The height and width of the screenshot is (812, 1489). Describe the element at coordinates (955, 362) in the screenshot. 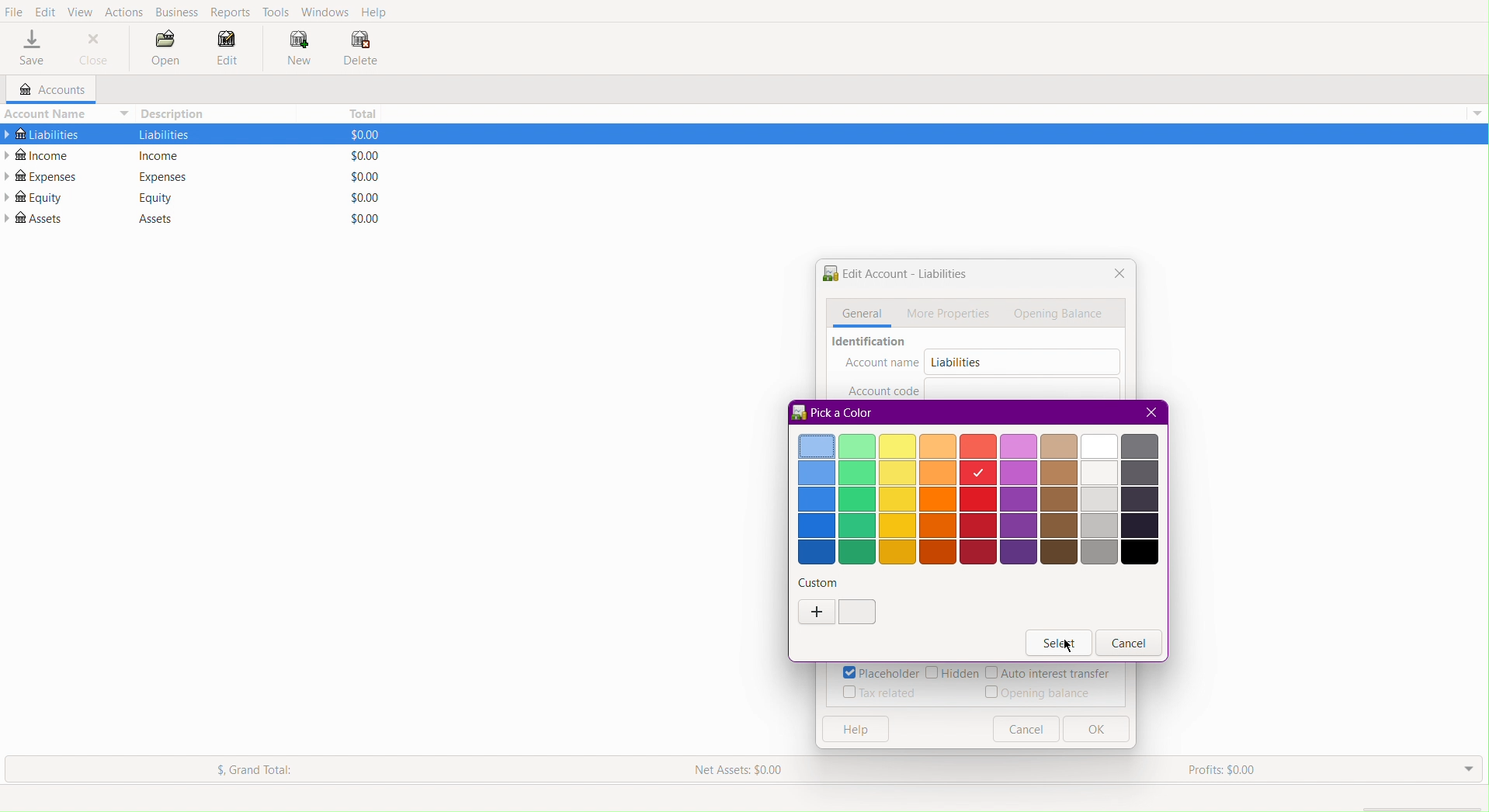

I see `Liabilities` at that location.